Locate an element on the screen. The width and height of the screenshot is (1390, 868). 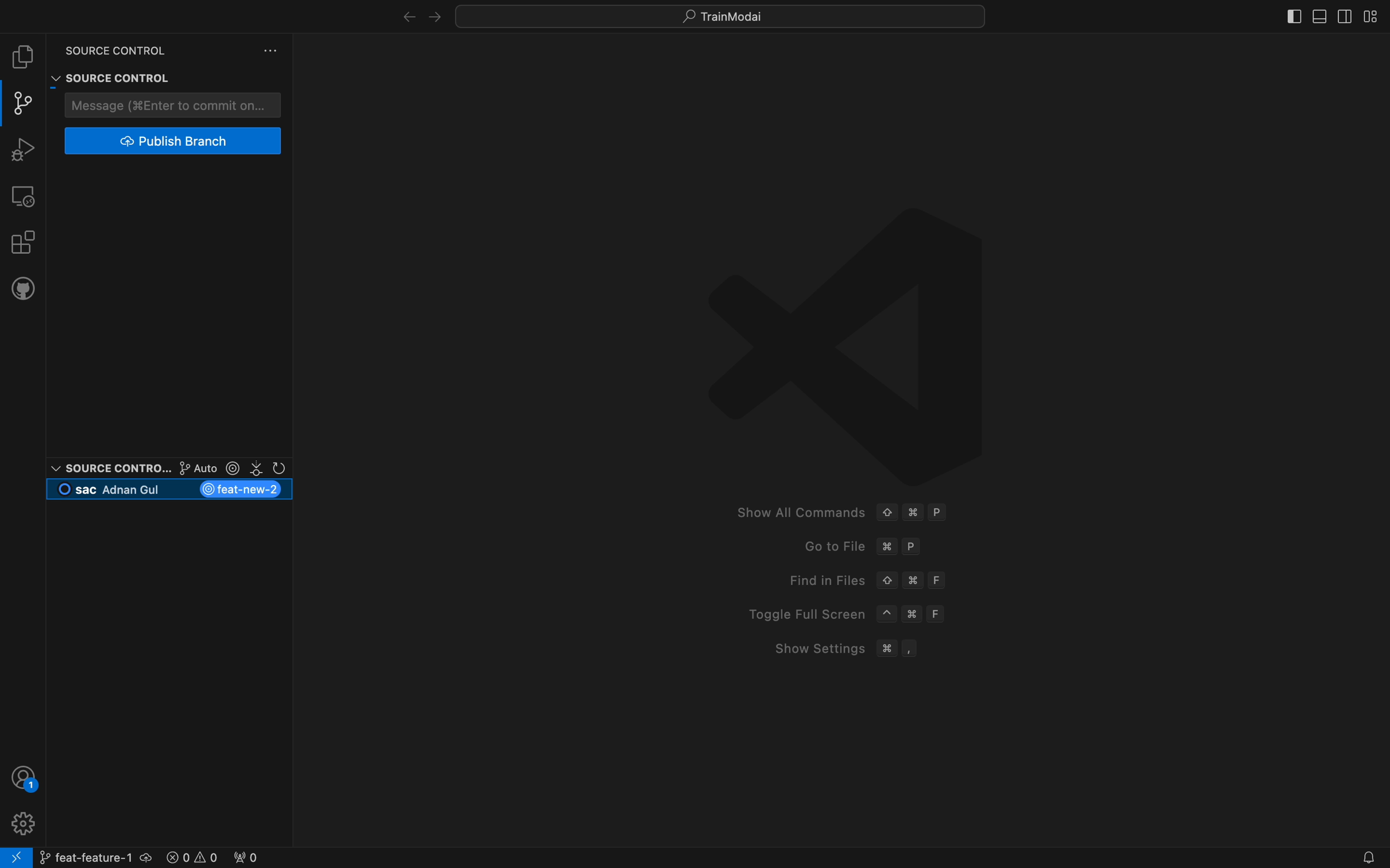
remote is located at coordinates (24, 195).